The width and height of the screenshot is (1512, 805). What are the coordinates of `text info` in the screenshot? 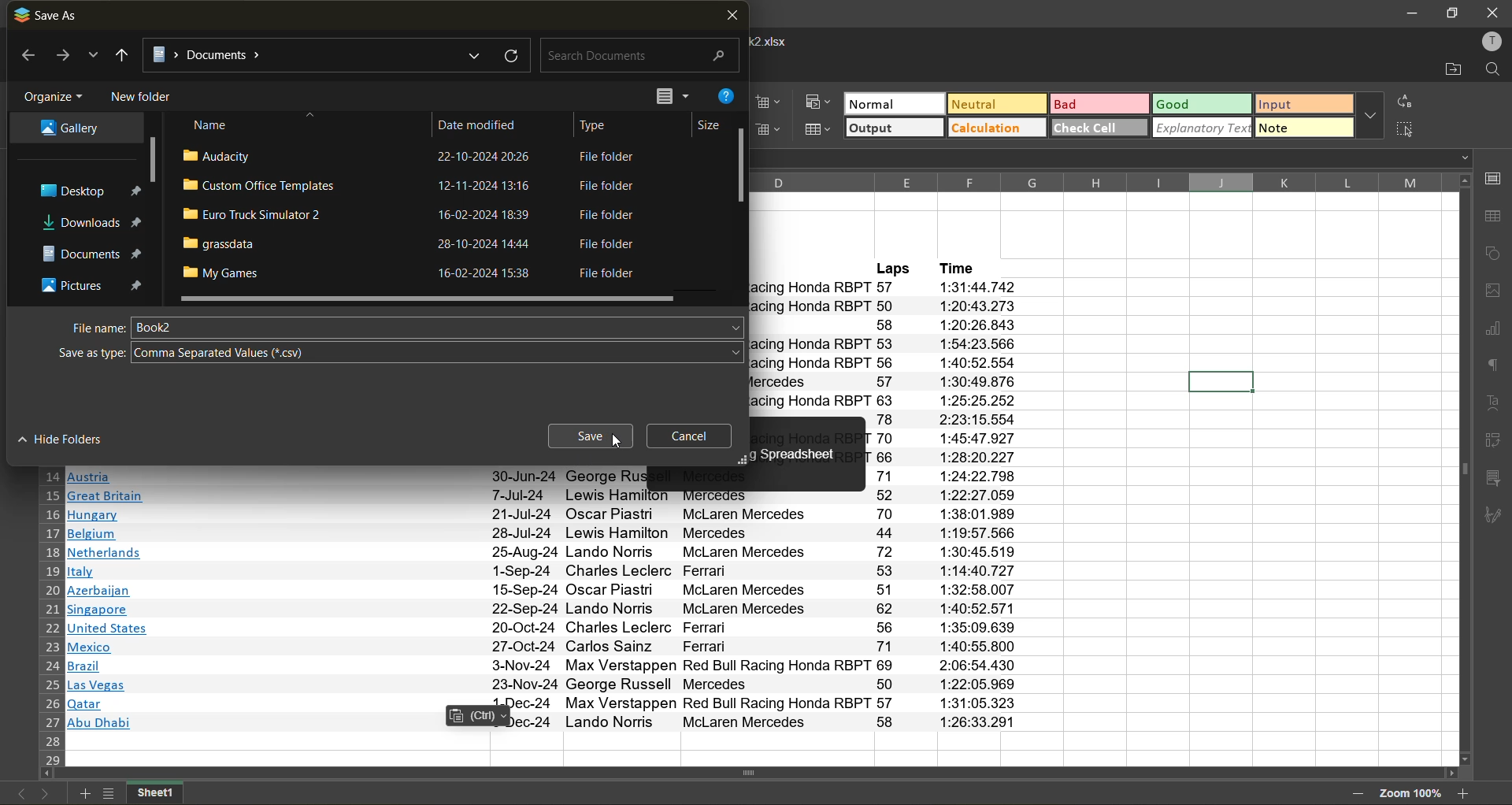 It's located at (547, 722).